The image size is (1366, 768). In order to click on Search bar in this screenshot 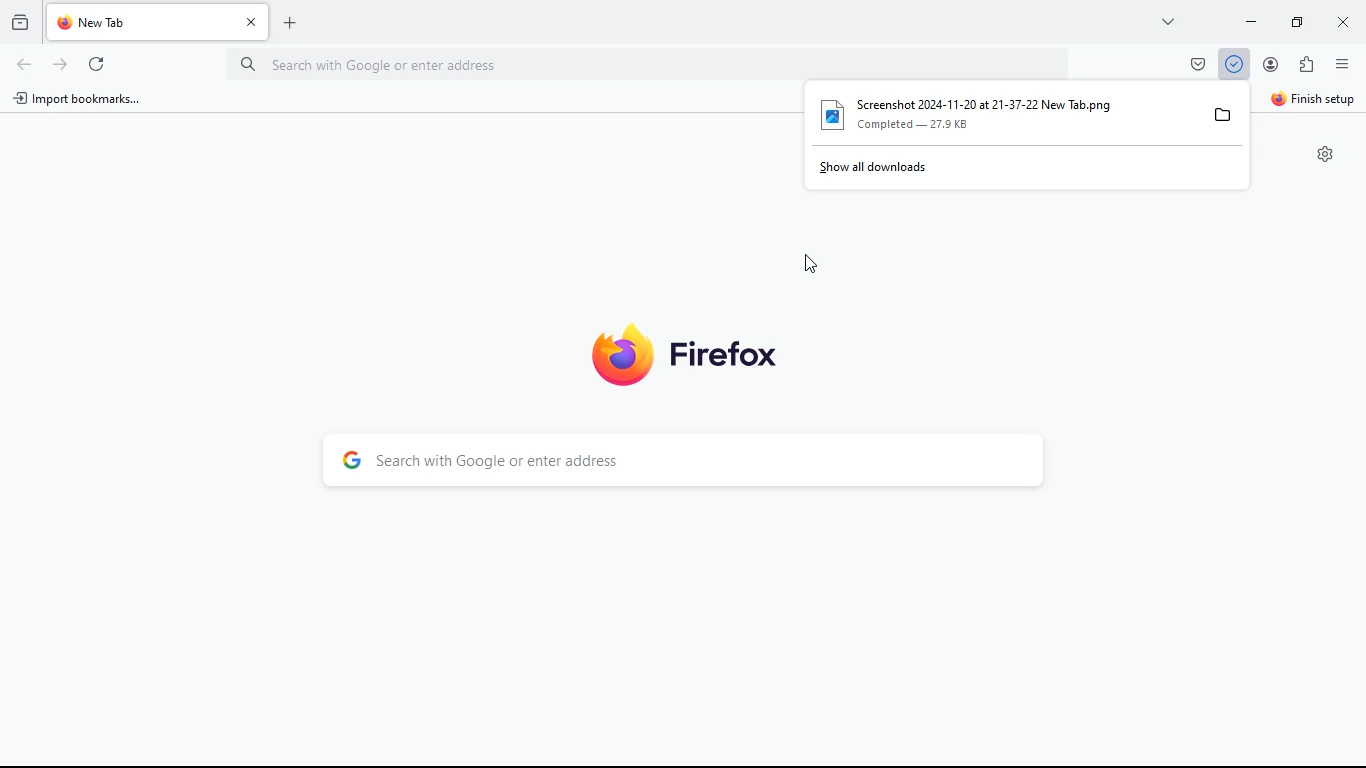, I will do `click(681, 66)`.